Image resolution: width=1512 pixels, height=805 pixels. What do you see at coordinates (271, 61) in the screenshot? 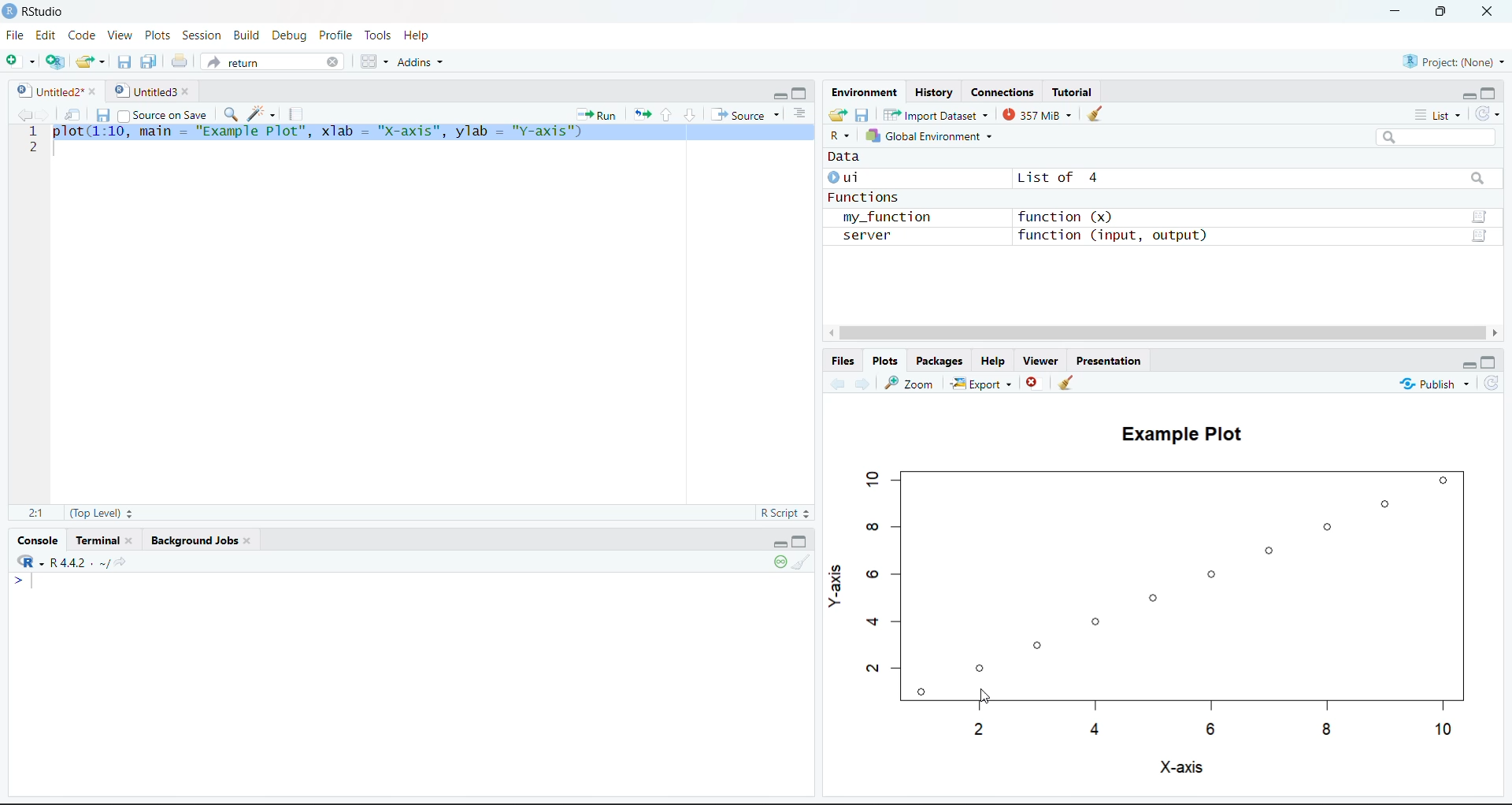
I see `return` at bounding box center [271, 61].